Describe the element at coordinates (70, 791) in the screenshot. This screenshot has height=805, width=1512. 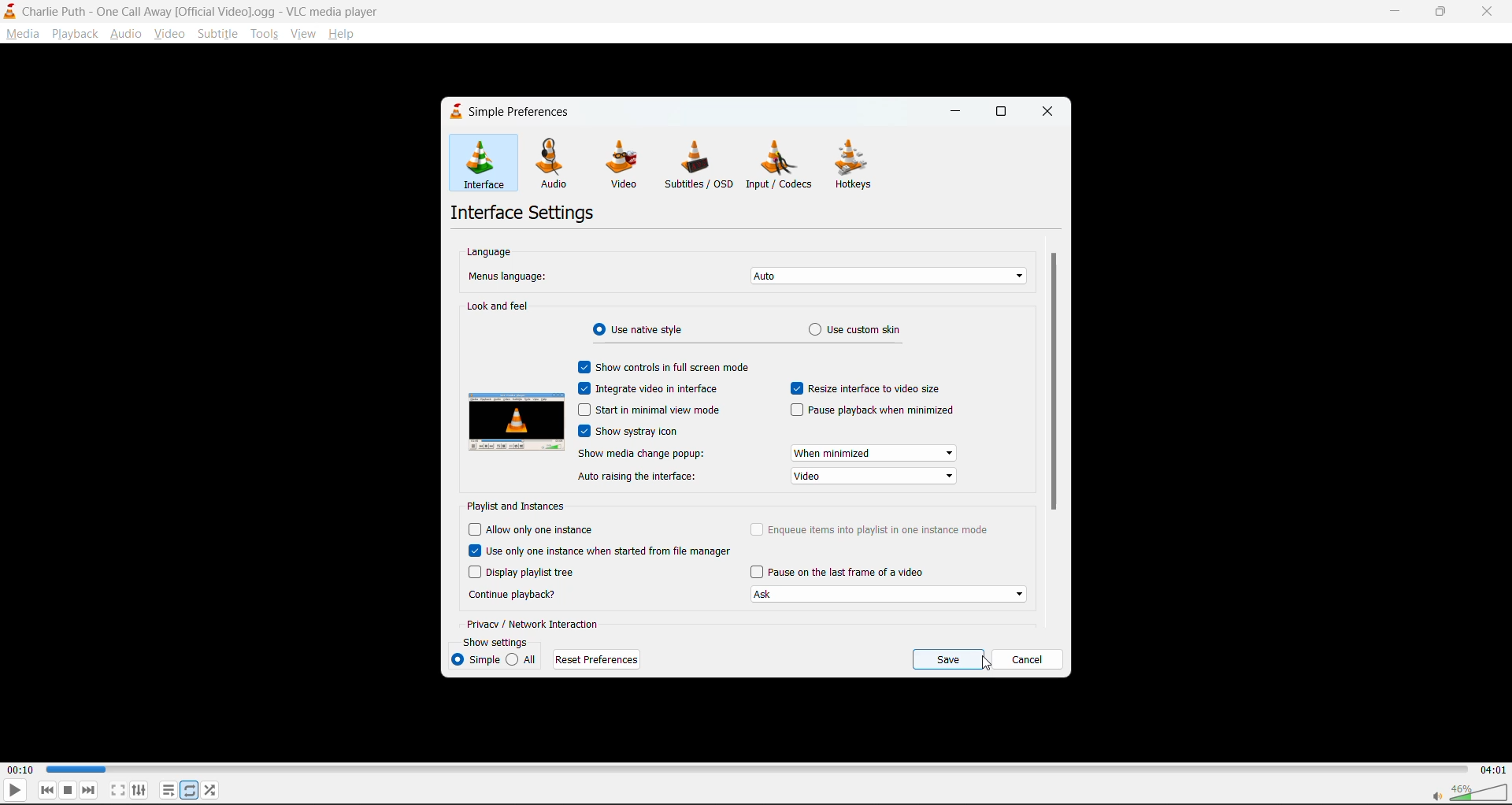
I see `stop` at that location.